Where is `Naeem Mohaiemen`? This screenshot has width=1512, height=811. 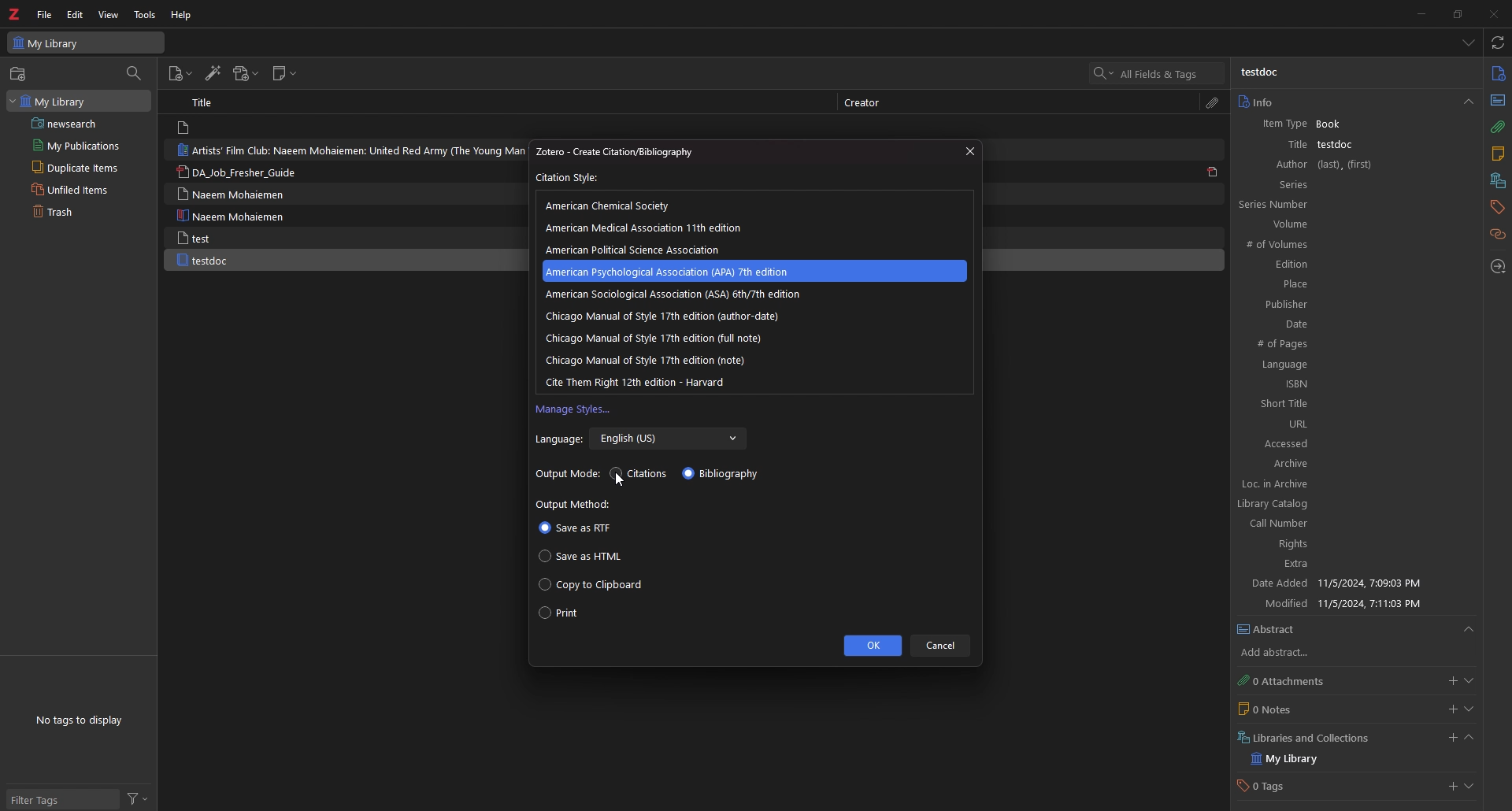 Naeem Mohaiemen is located at coordinates (231, 194).